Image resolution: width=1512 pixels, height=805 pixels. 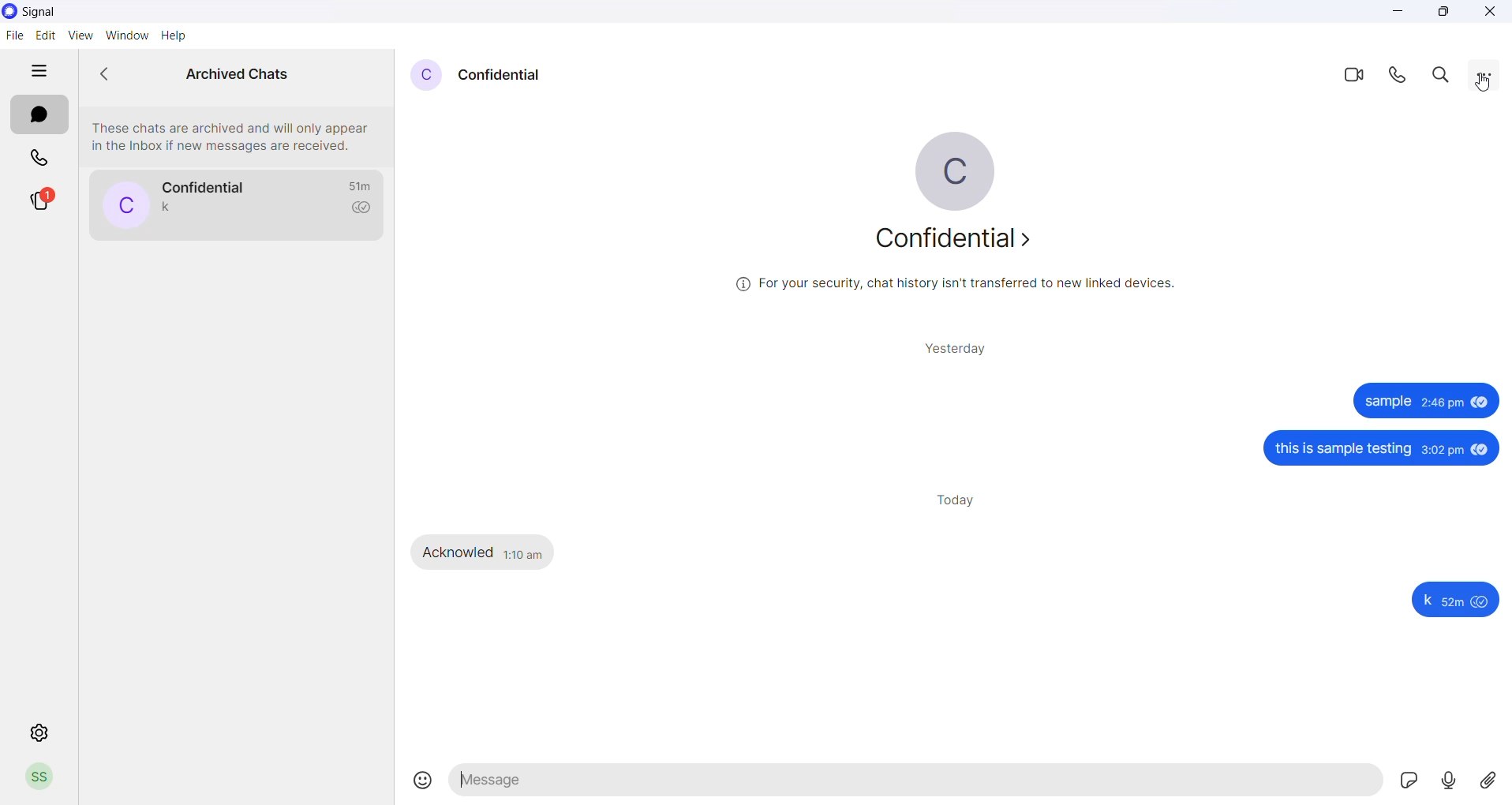 I want to click on sample, so click(x=1390, y=402).